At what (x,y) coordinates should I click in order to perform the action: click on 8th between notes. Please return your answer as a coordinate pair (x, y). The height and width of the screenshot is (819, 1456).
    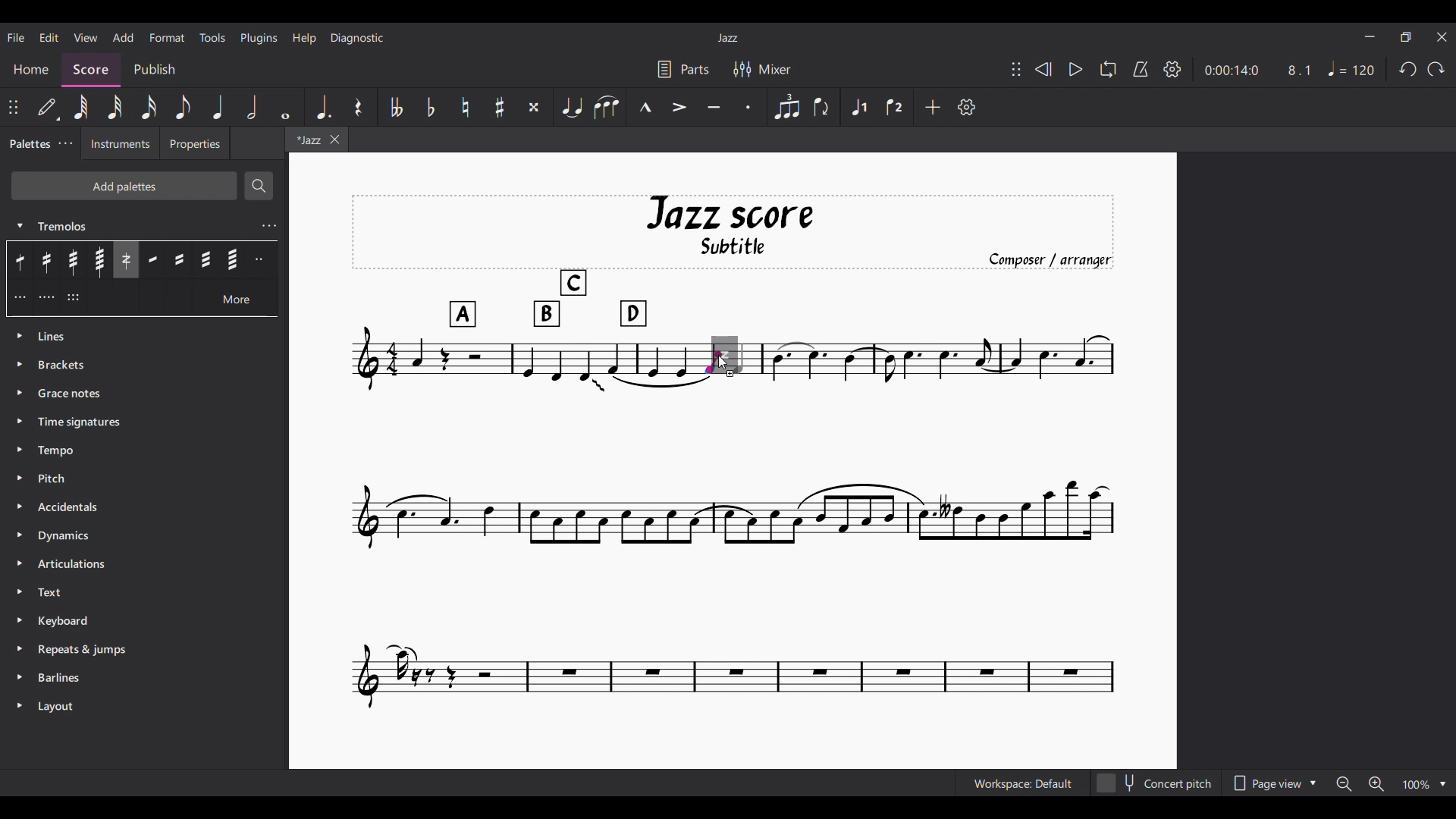
    Looking at the image, I should click on (152, 259).